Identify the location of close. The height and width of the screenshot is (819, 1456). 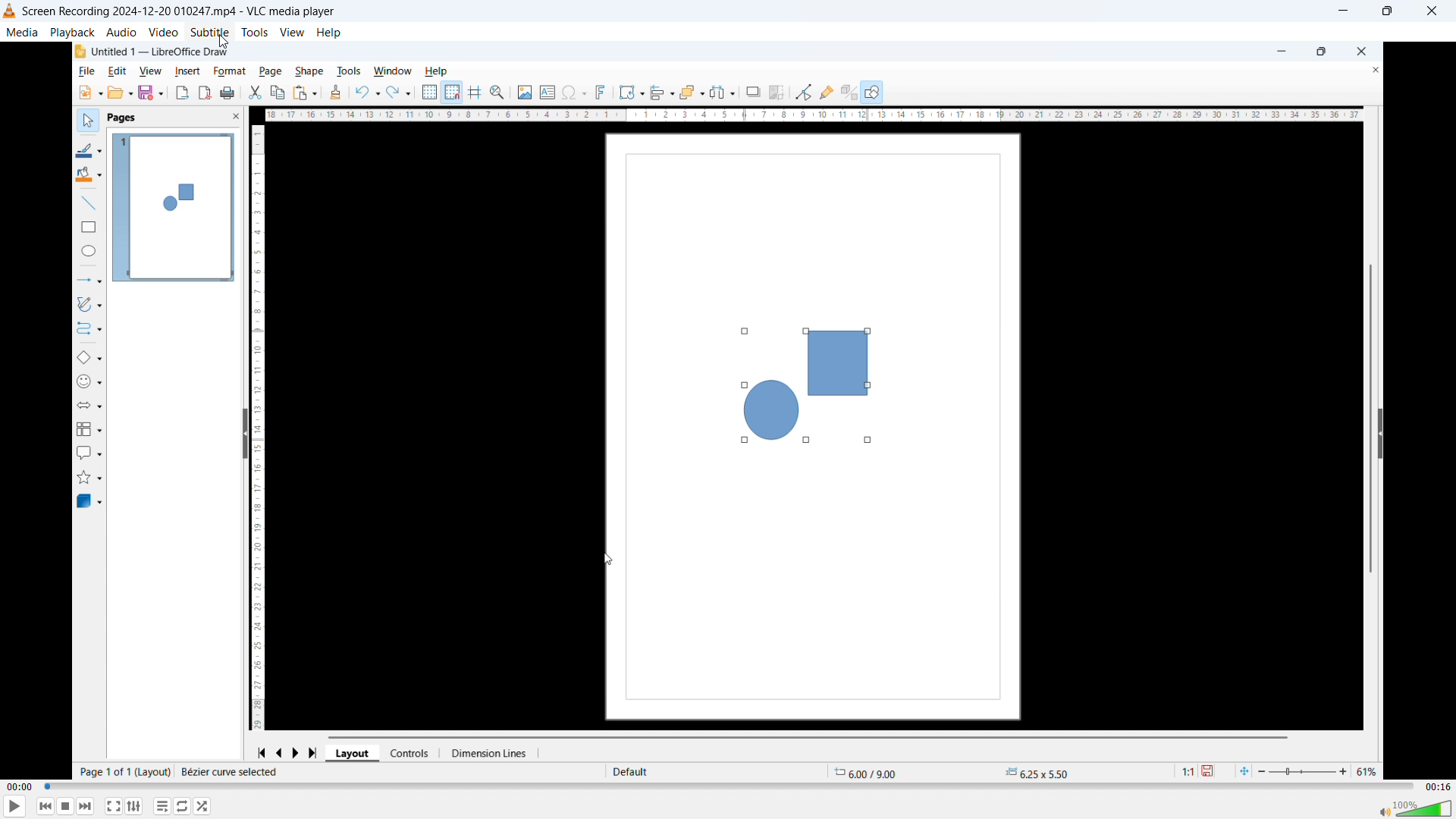
(1361, 50).